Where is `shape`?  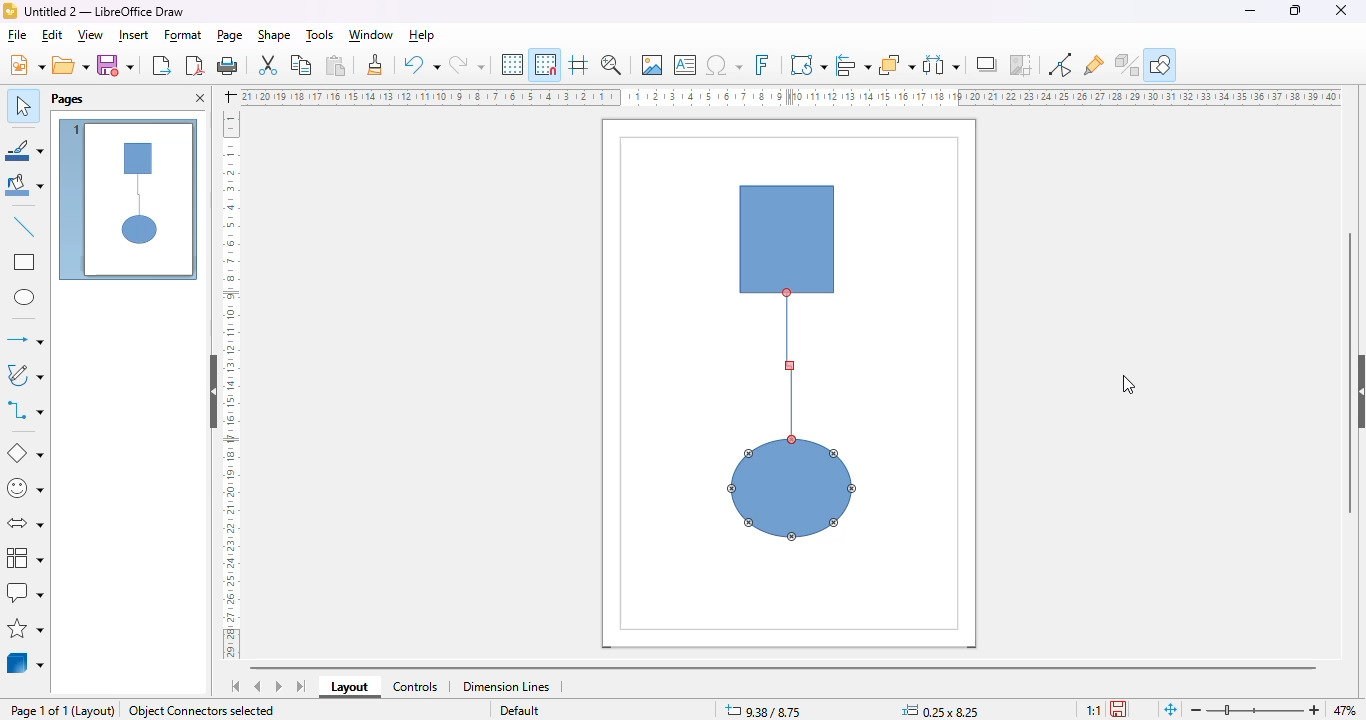
shape is located at coordinates (273, 35).